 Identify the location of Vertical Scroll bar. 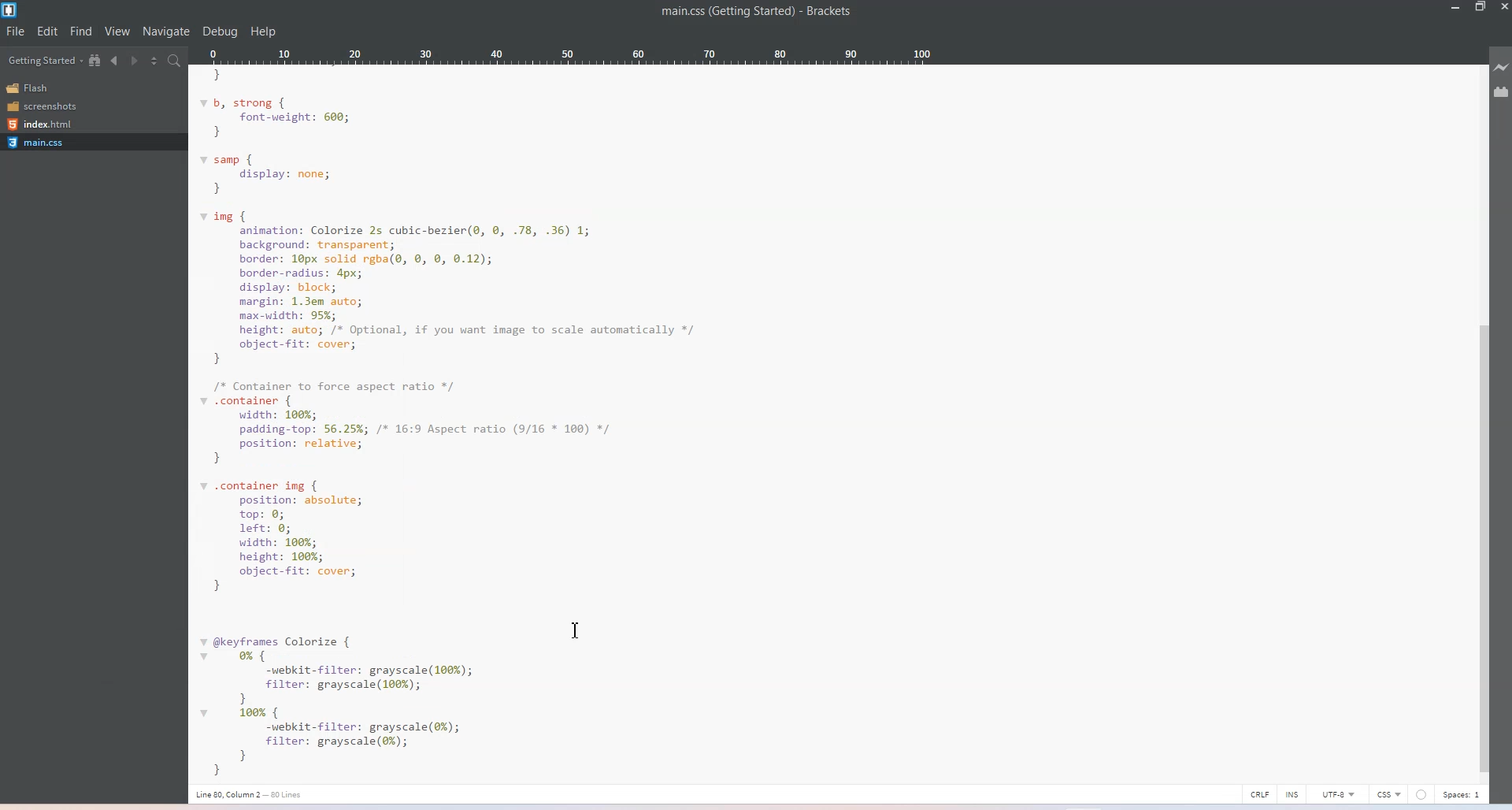
(1484, 413).